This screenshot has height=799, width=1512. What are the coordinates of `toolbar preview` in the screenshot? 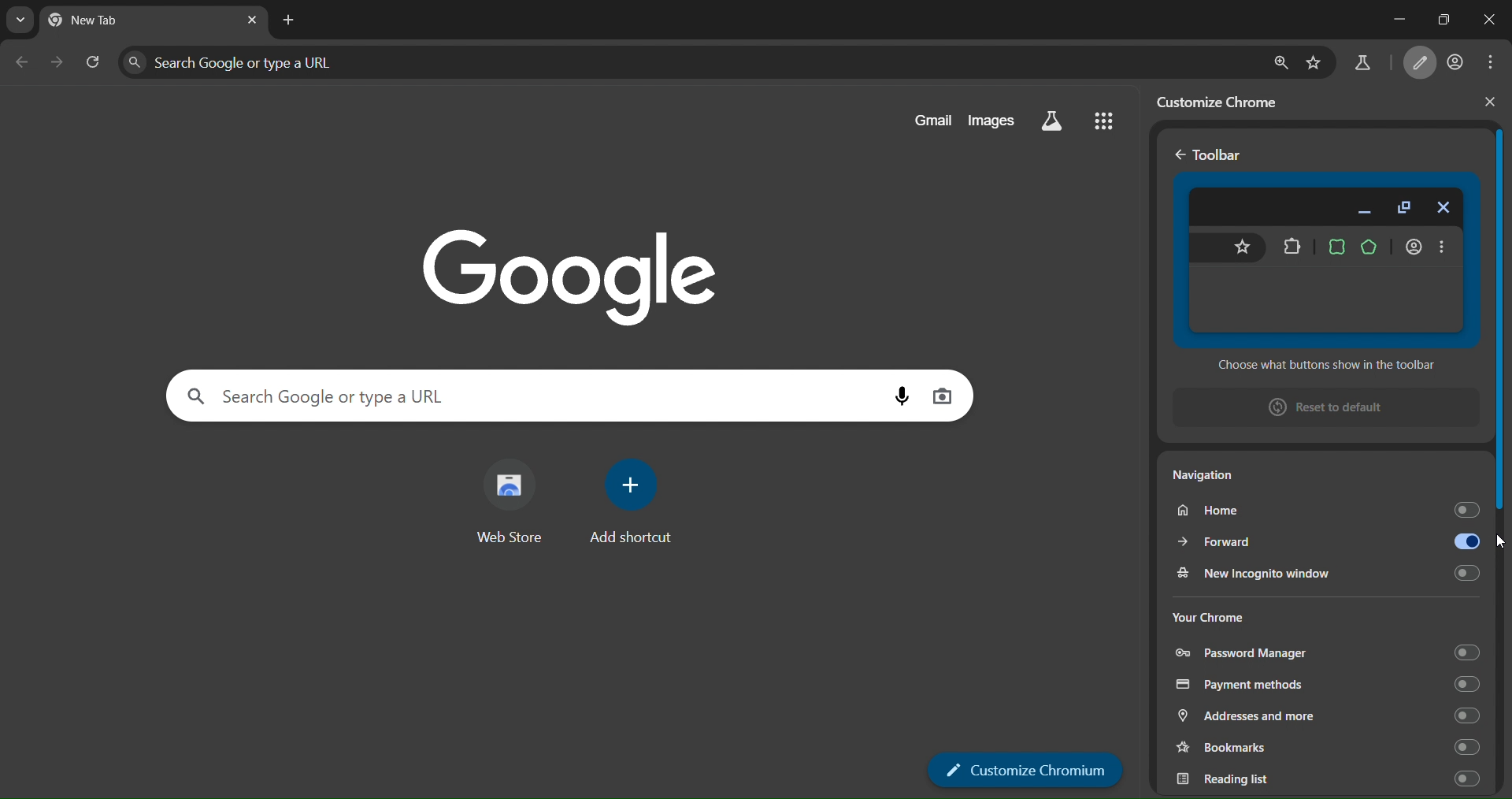 It's located at (1325, 260).